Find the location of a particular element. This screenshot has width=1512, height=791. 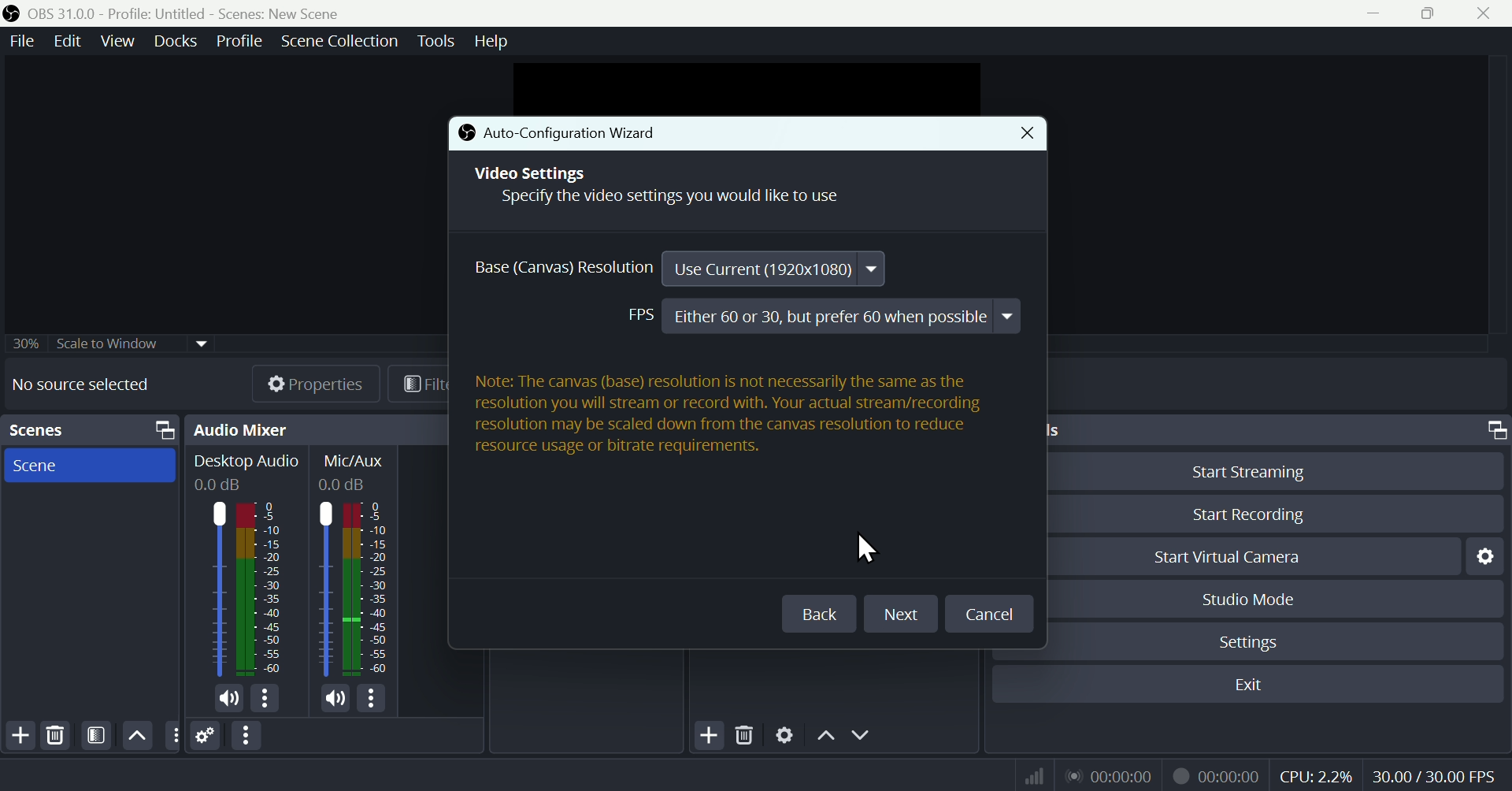

Settings is located at coordinates (785, 733).